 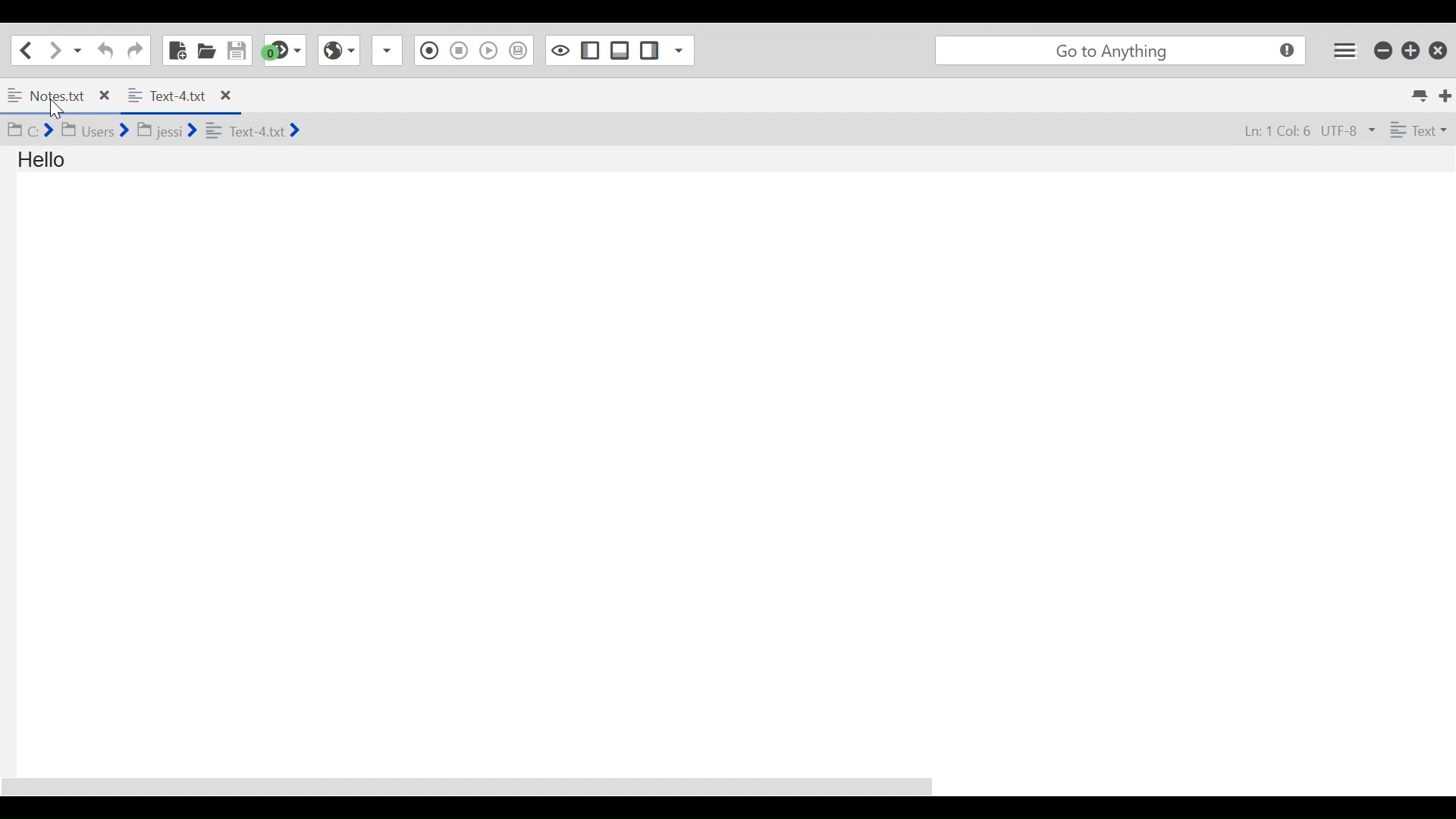 I want to click on Recording in Macro, so click(x=429, y=51).